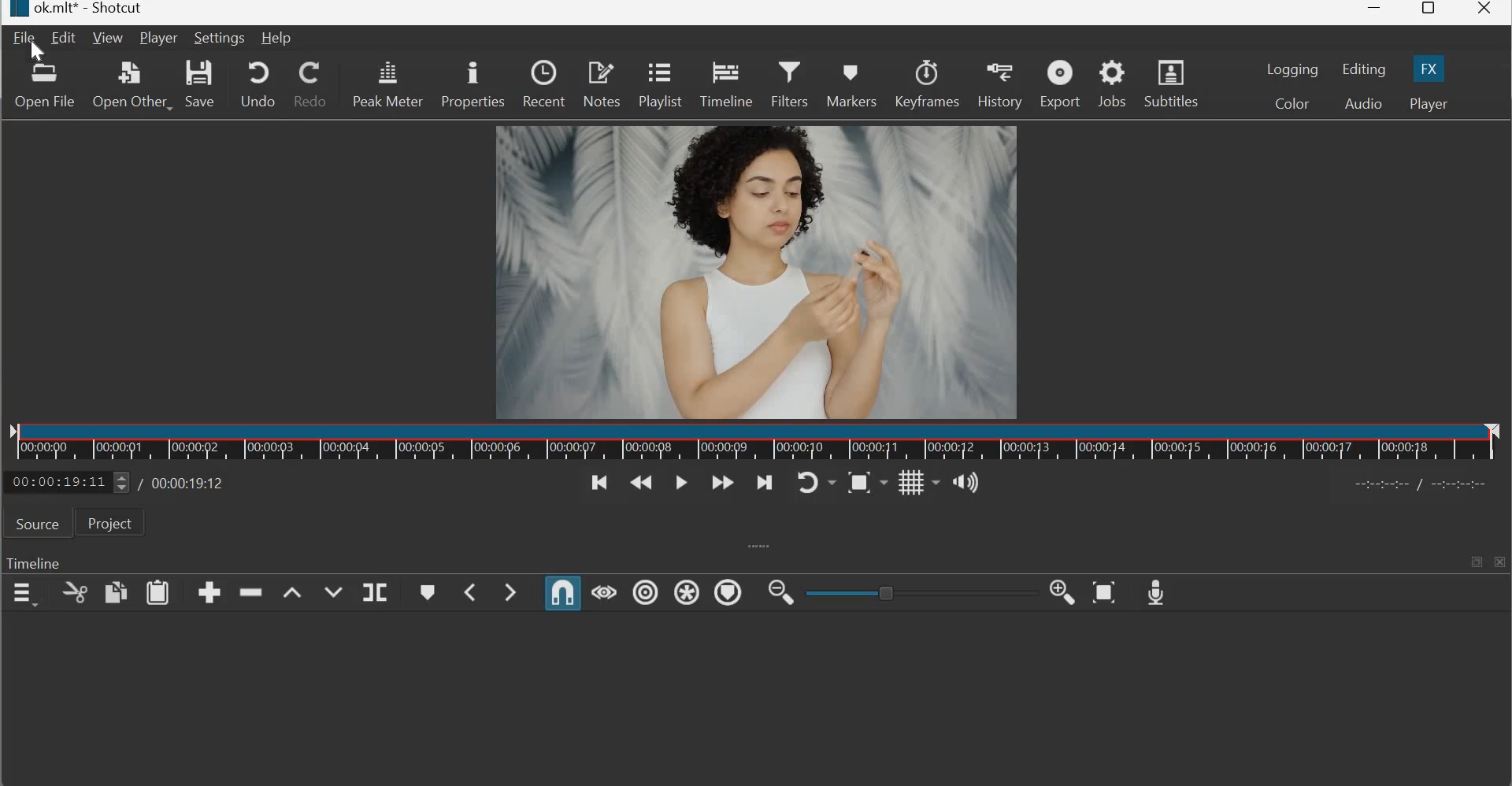 The height and width of the screenshot is (786, 1512). I want to click on Split at playhead, so click(374, 592).